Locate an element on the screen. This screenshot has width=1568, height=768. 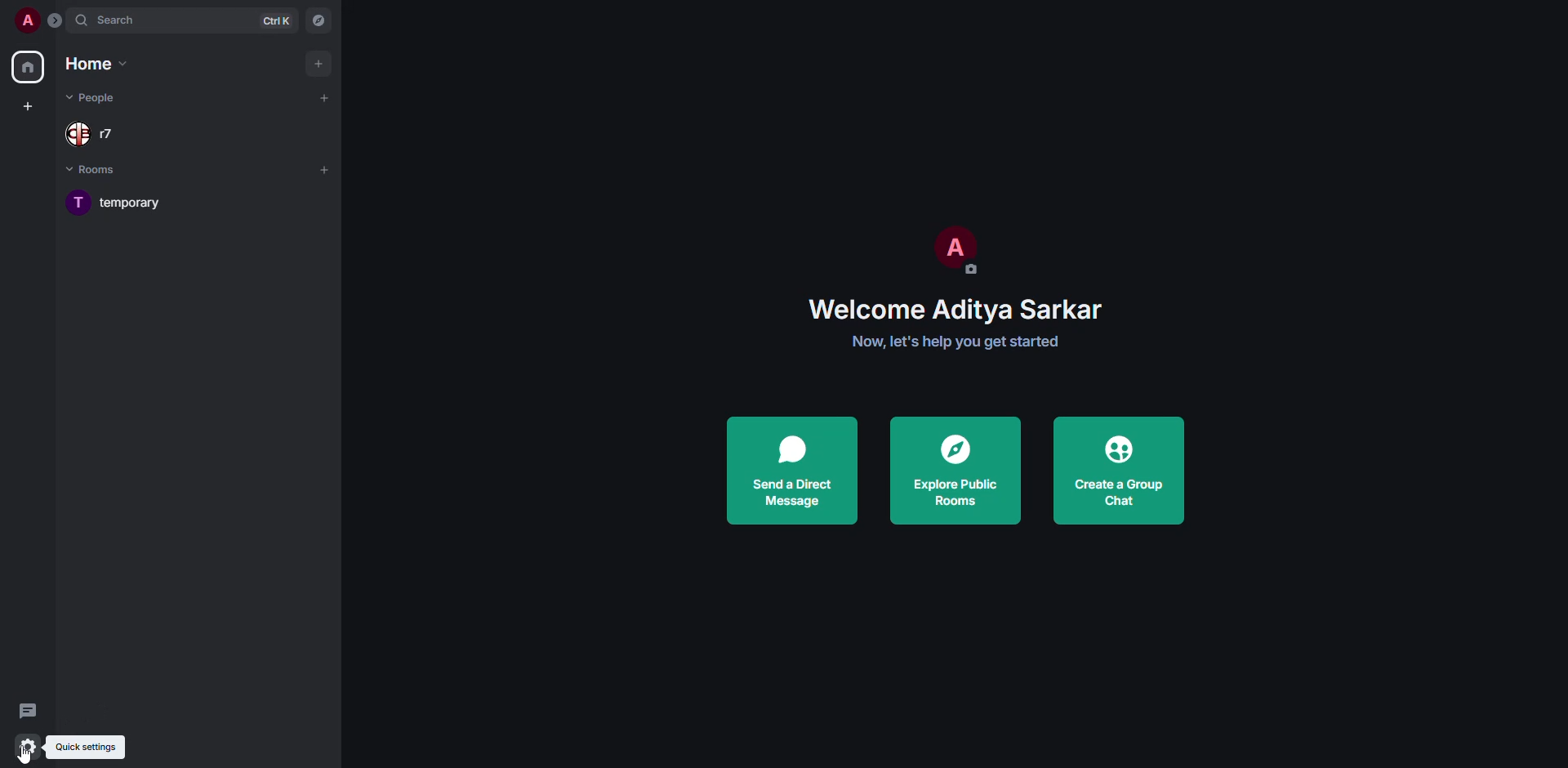
cursor is located at coordinates (27, 756).